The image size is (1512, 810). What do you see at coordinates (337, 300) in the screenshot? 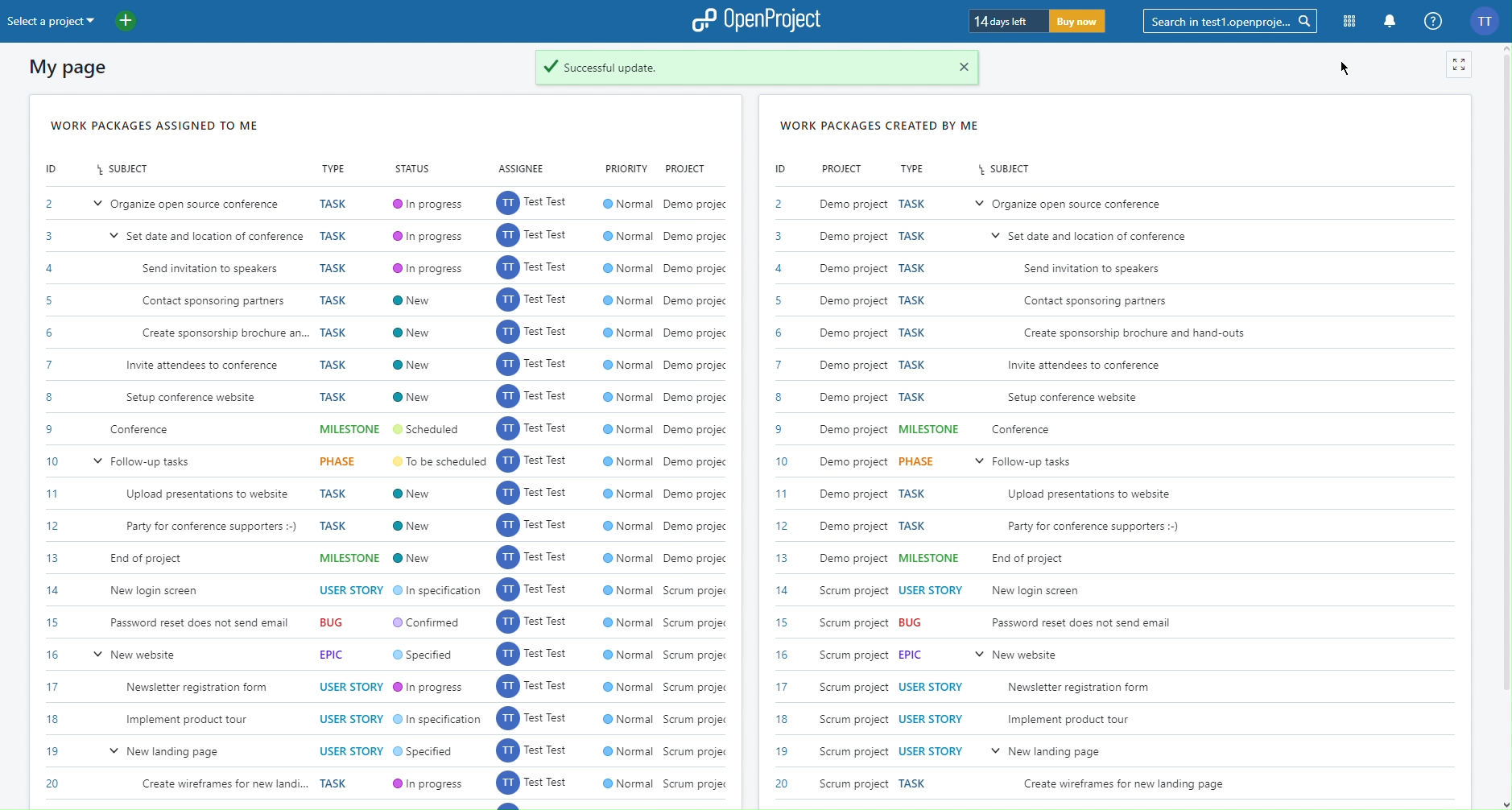
I see `Task` at bounding box center [337, 300].